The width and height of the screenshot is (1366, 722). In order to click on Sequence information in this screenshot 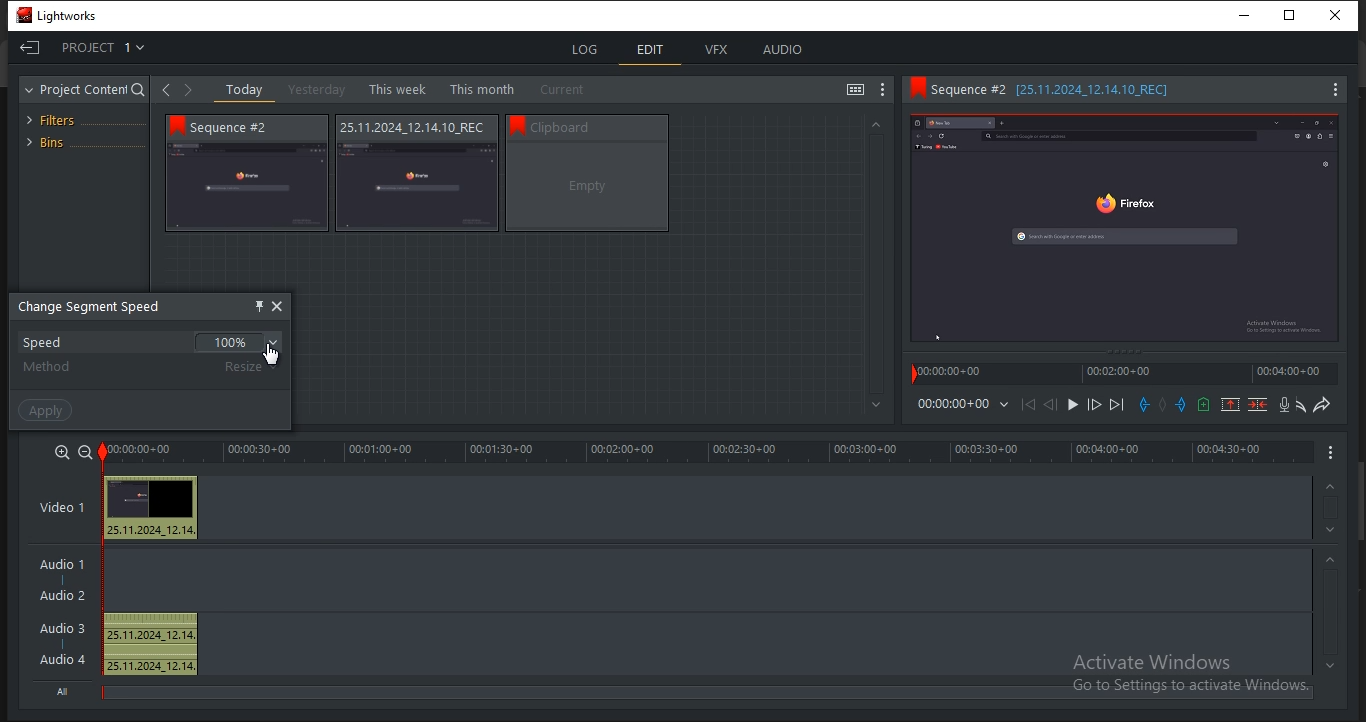, I will do `click(411, 128)`.